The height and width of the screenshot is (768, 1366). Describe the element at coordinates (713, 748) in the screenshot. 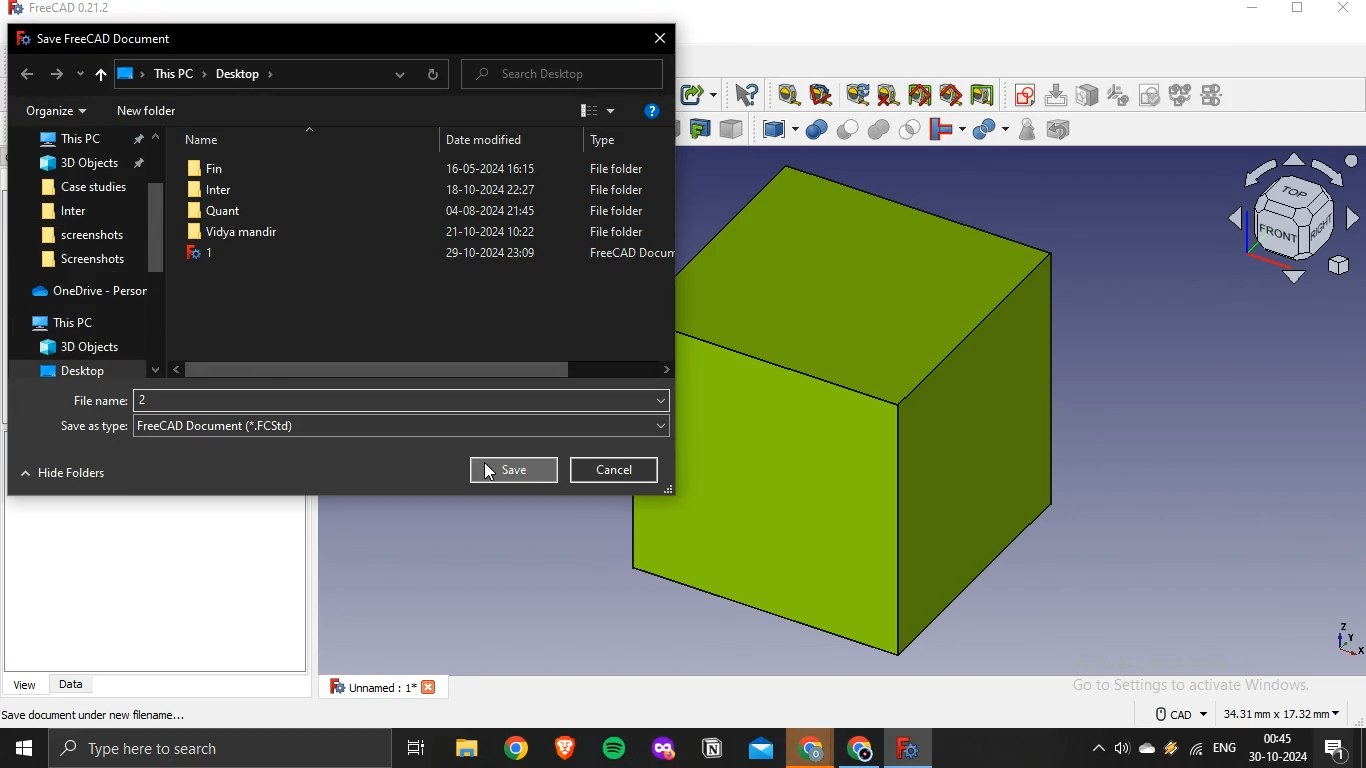

I see `notion` at that location.